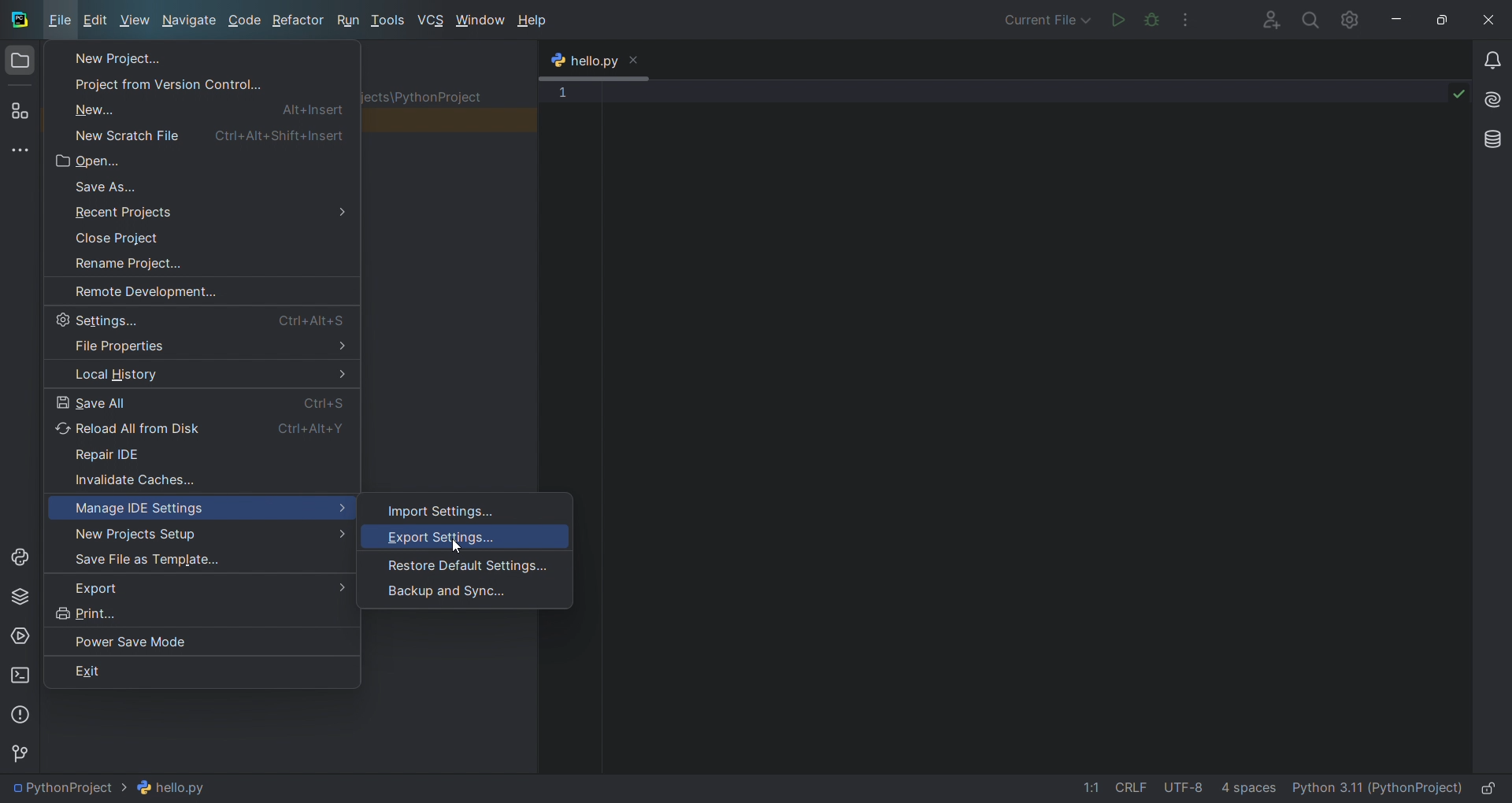 This screenshot has height=803, width=1512. I want to click on tab, so click(595, 62).